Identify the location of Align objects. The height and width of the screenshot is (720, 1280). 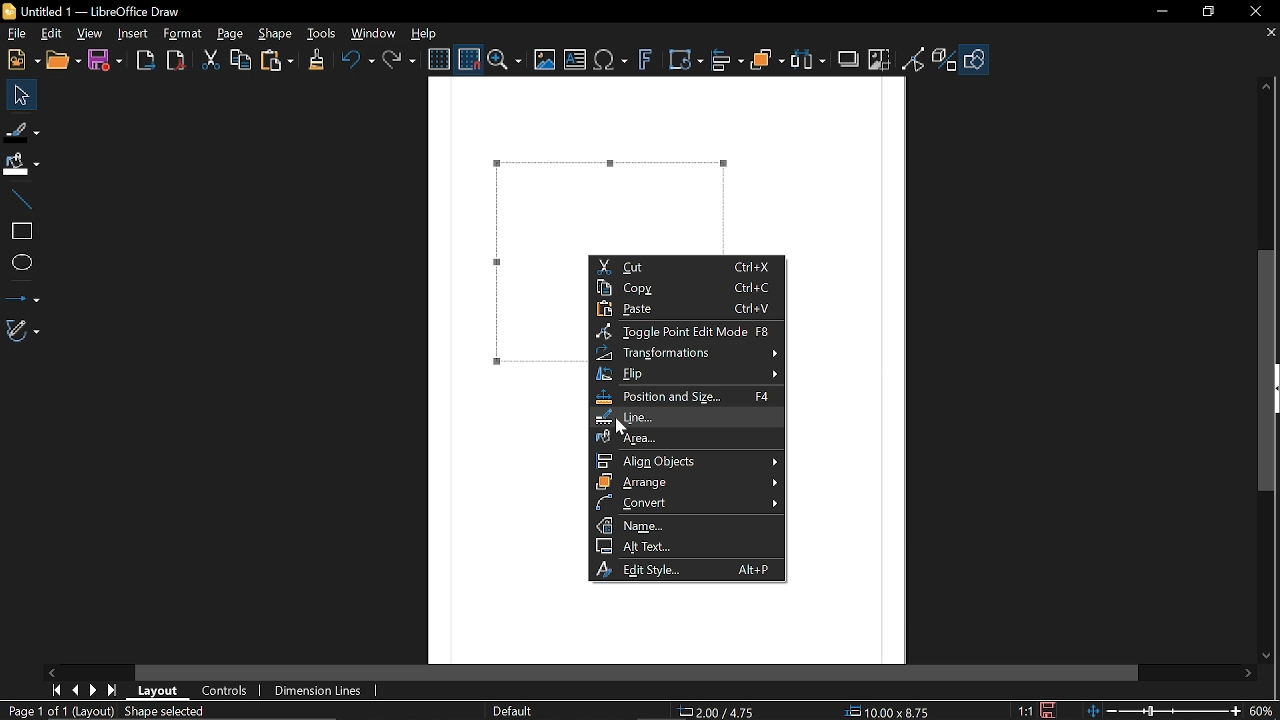
(689, 460).